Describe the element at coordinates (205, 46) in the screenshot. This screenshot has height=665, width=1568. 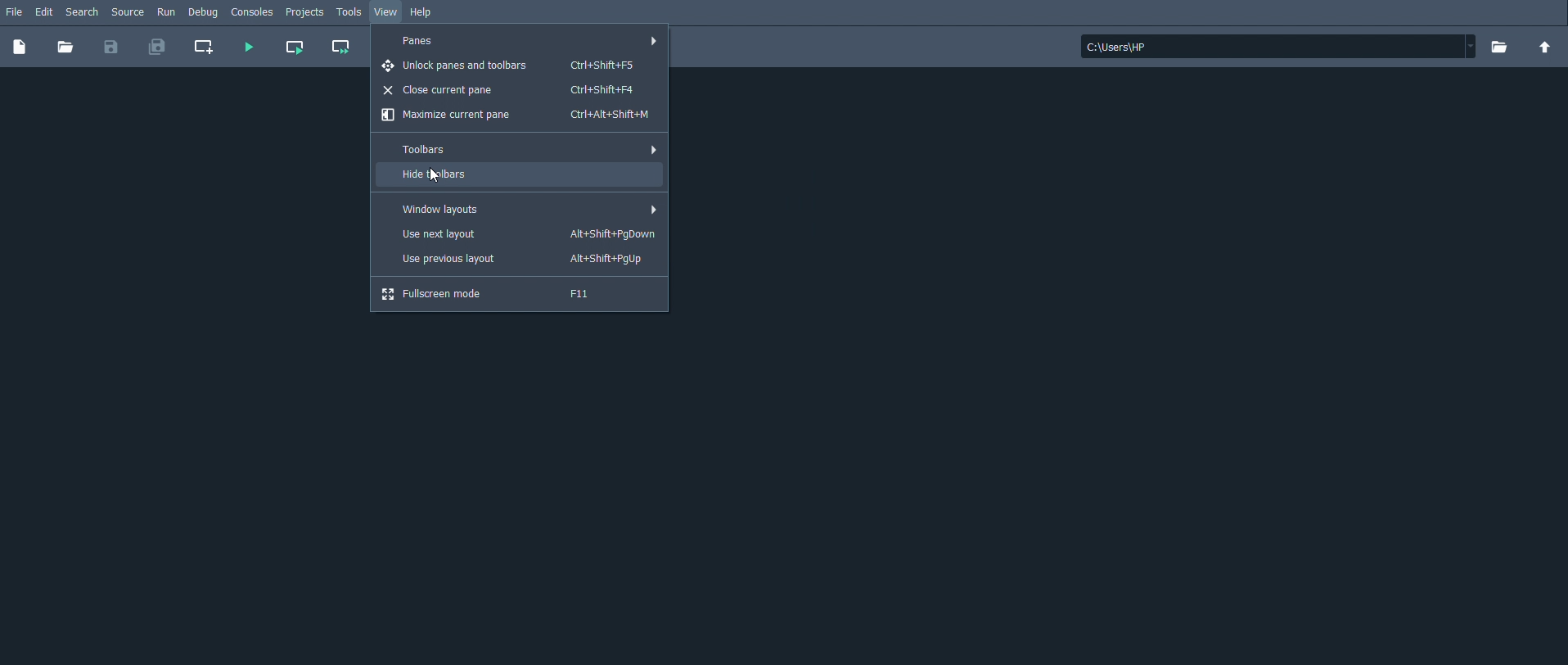
I see `Create new cell at the current line` at that location.